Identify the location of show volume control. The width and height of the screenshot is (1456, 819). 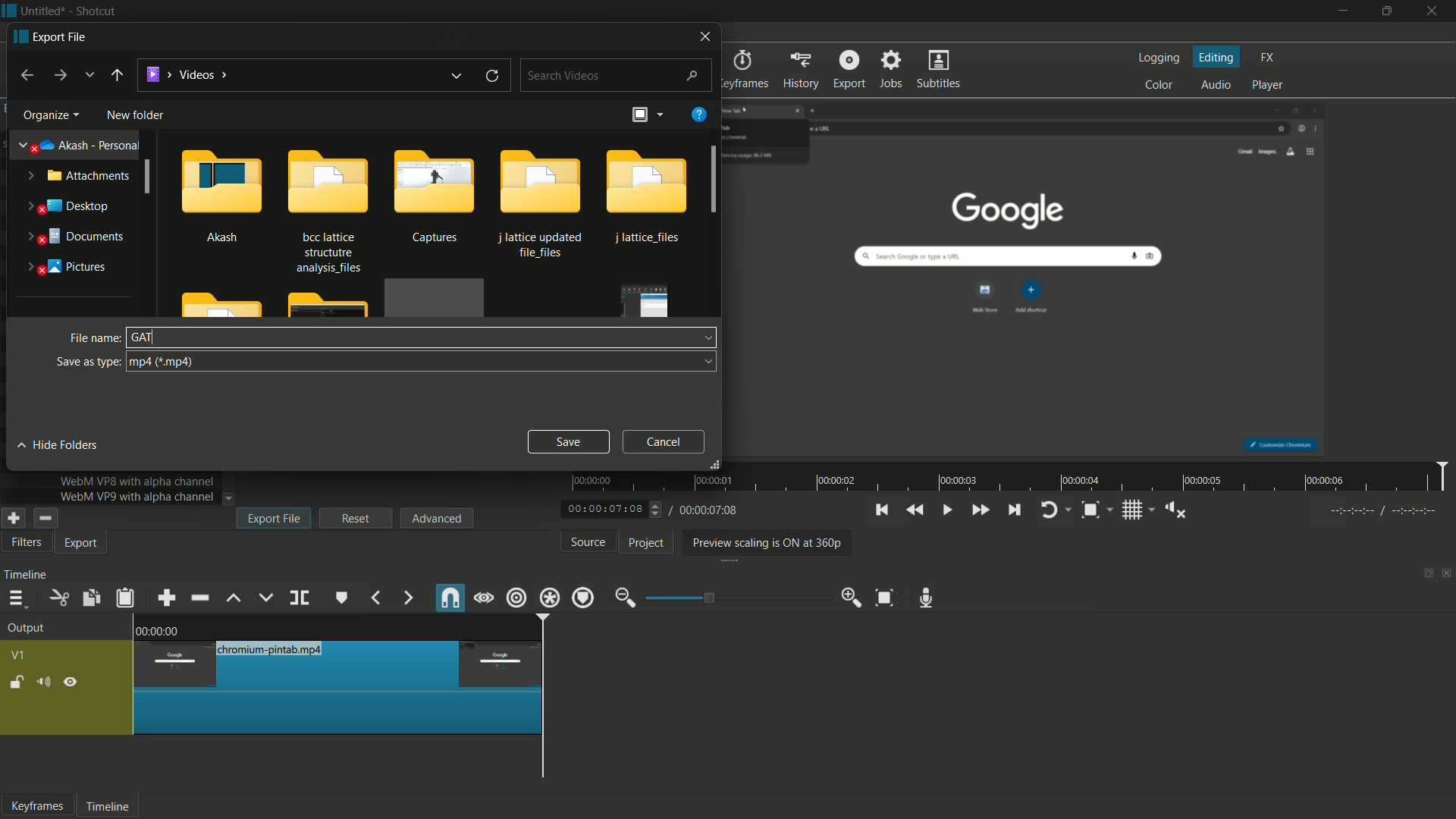
(1181, 510).